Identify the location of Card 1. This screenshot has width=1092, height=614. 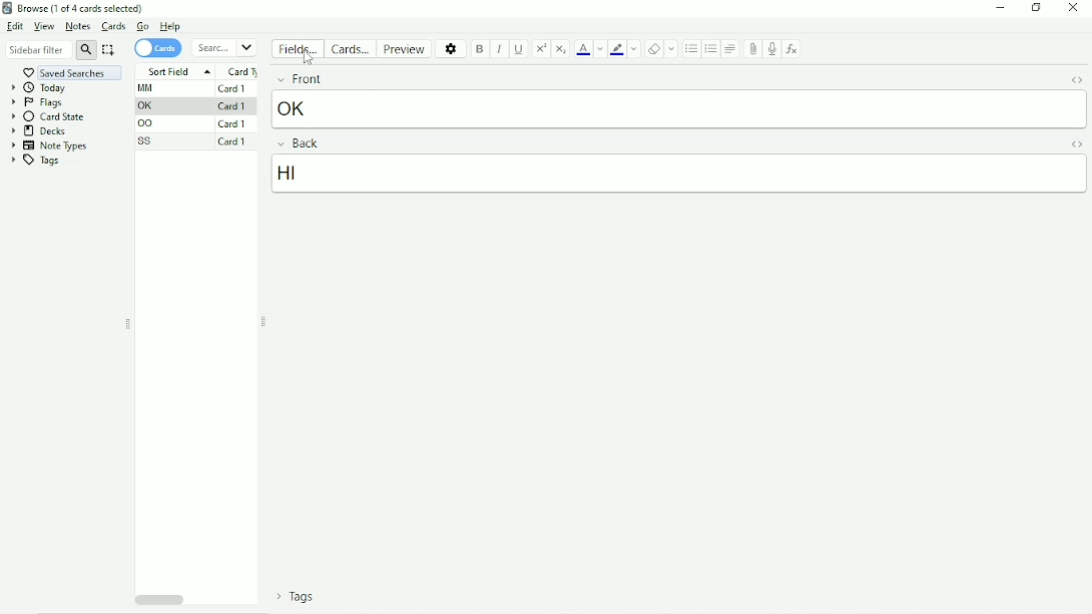
(233, 124).